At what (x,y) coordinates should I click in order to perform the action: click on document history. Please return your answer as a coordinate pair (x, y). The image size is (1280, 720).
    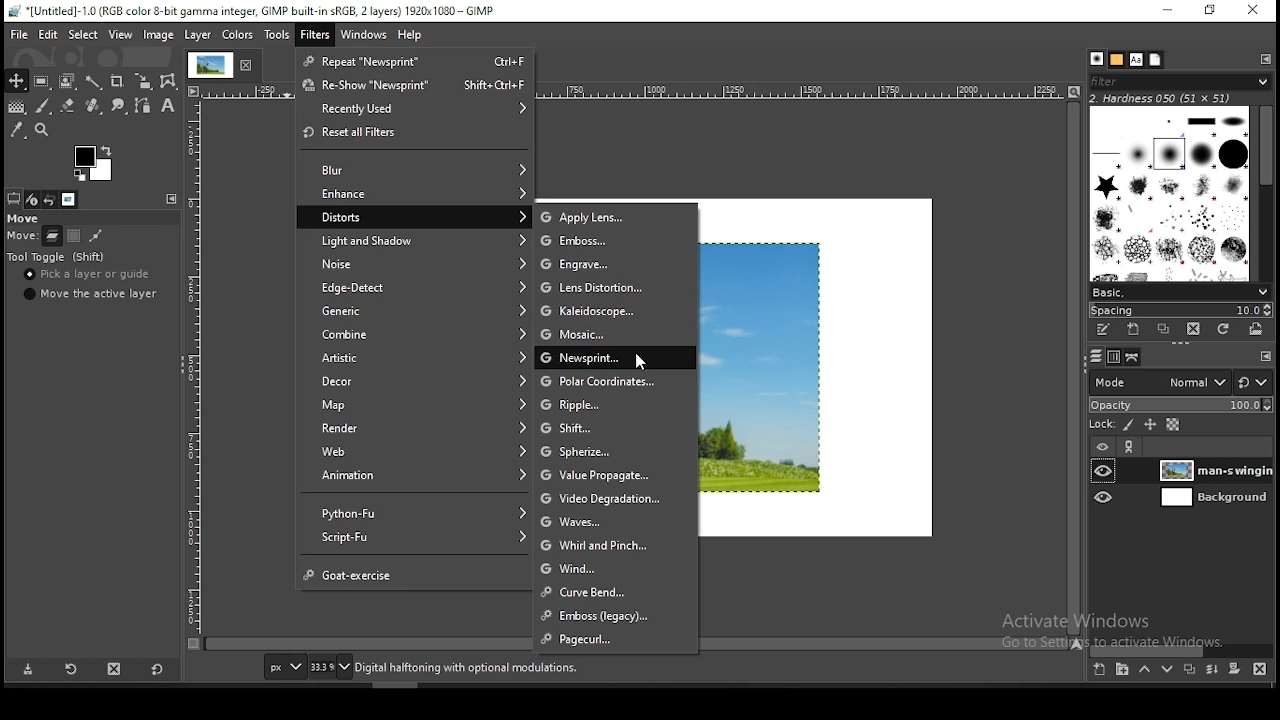
    Looking at the image, I should click on (1155, 60).